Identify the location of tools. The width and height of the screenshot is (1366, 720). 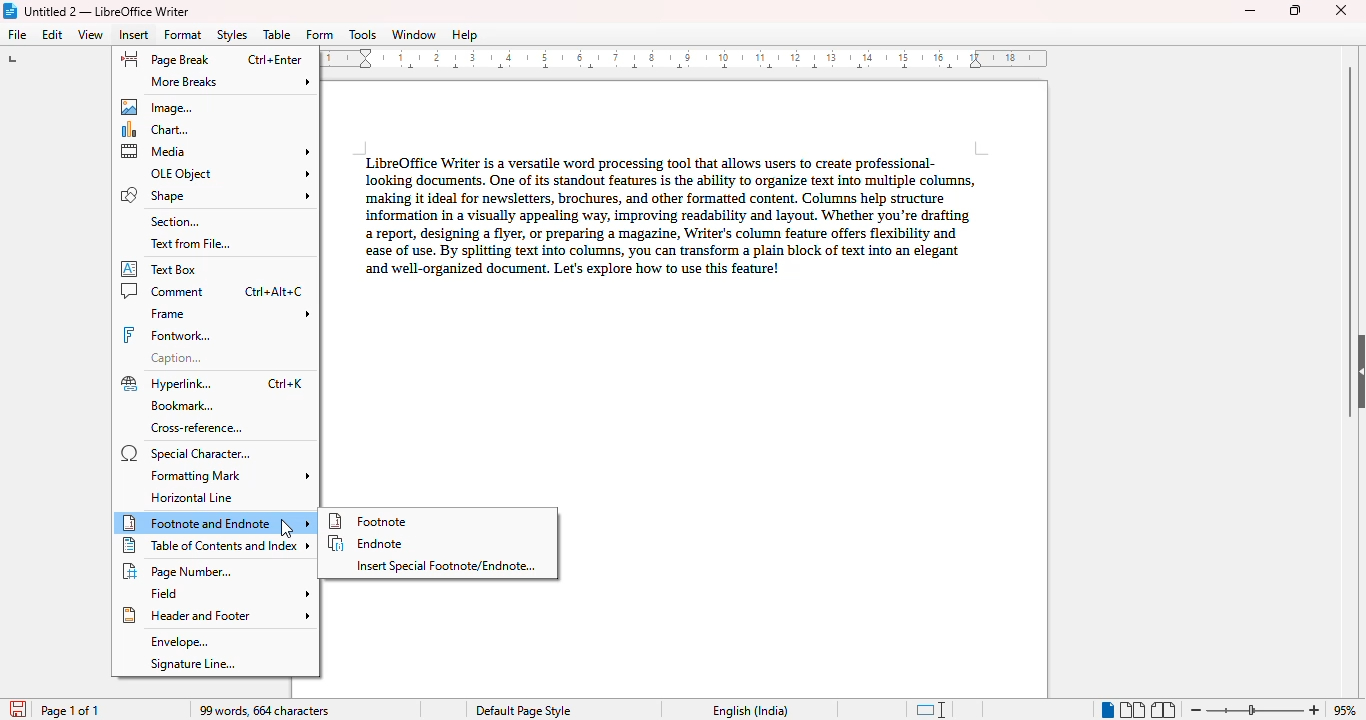
(363, 35).